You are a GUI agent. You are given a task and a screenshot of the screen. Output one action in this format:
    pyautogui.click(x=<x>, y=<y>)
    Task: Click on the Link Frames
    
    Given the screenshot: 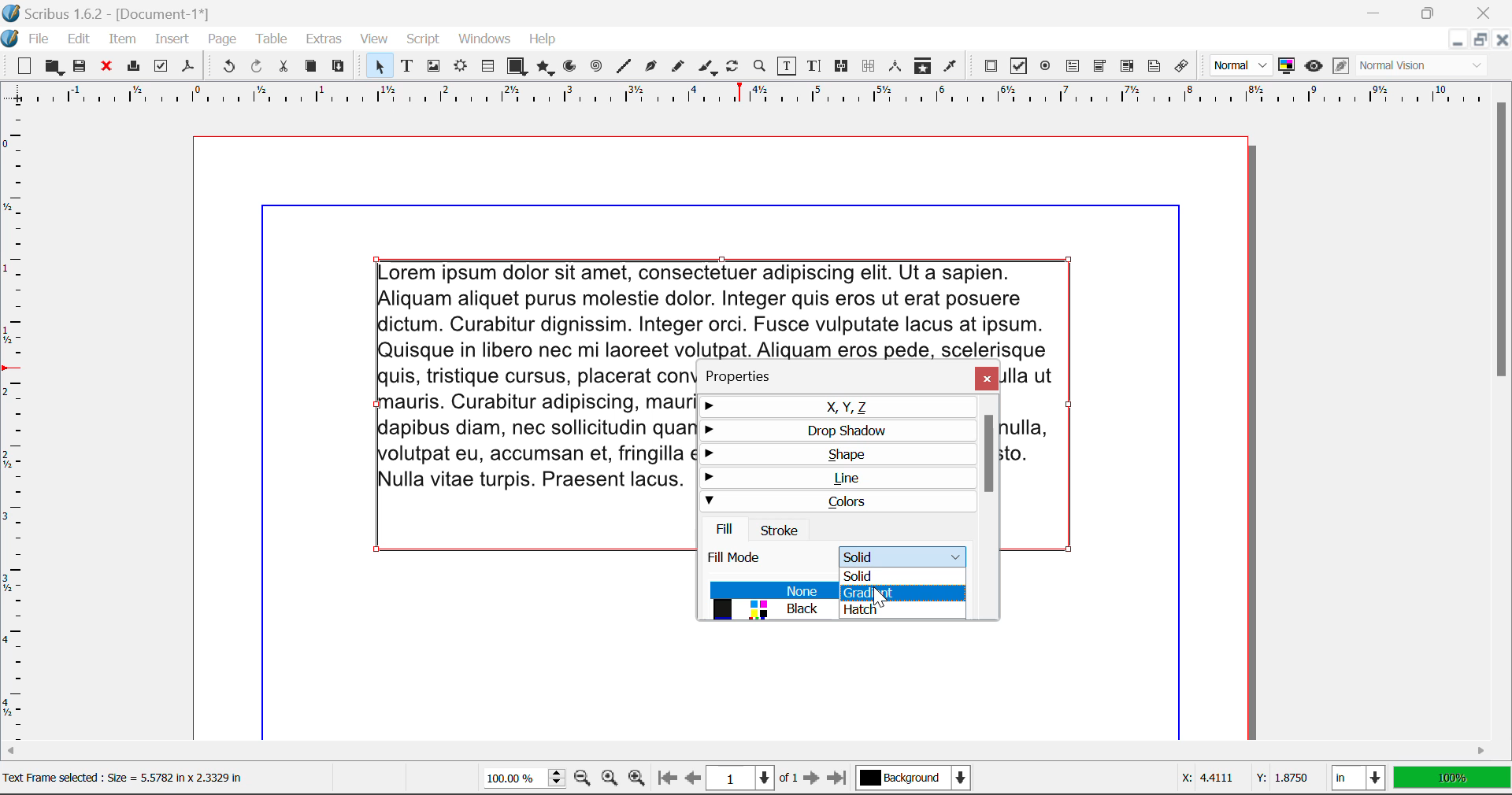 What is the action you would take?
    pyautogui.click(x=844, y=66)
    